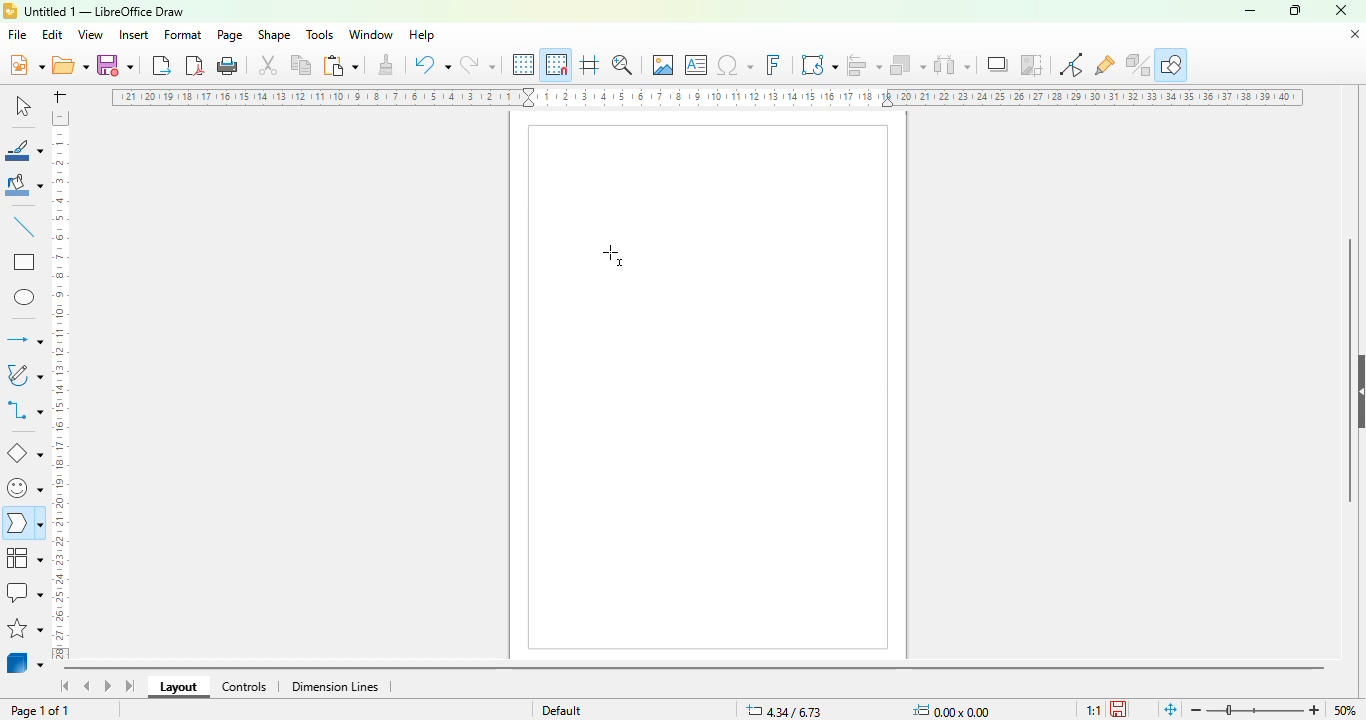  I want to click on dimension lines, so click(334, 687).